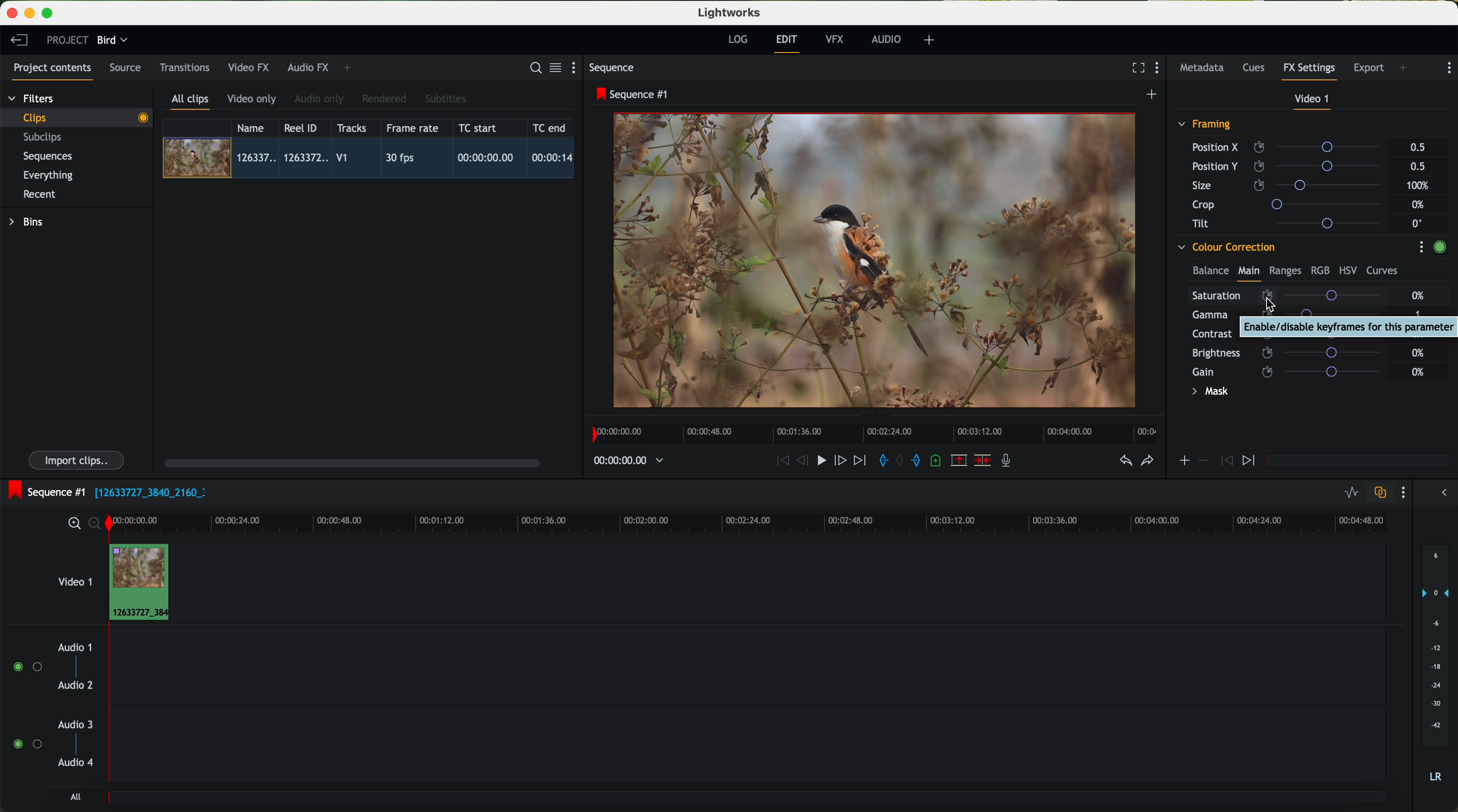  I want to click on balance, so click(1211, 272).